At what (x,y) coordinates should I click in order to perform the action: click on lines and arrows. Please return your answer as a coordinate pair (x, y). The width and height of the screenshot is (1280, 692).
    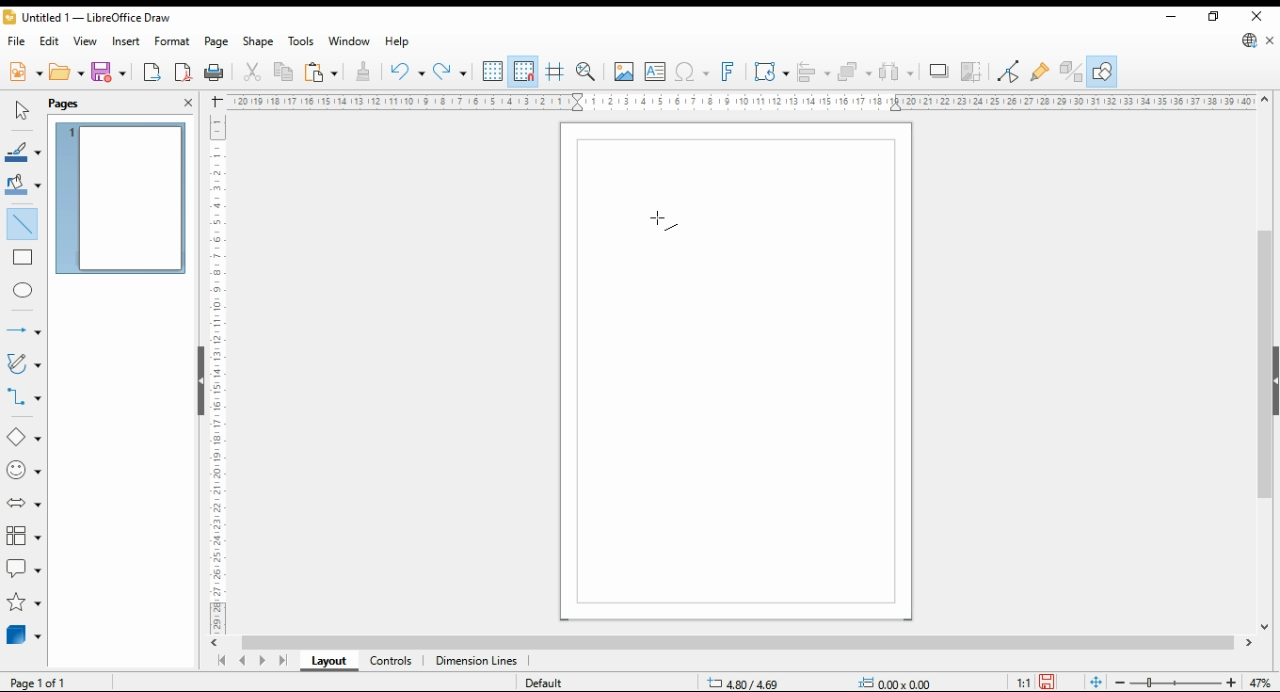
    Looking at the image, I should click on (23, 332).